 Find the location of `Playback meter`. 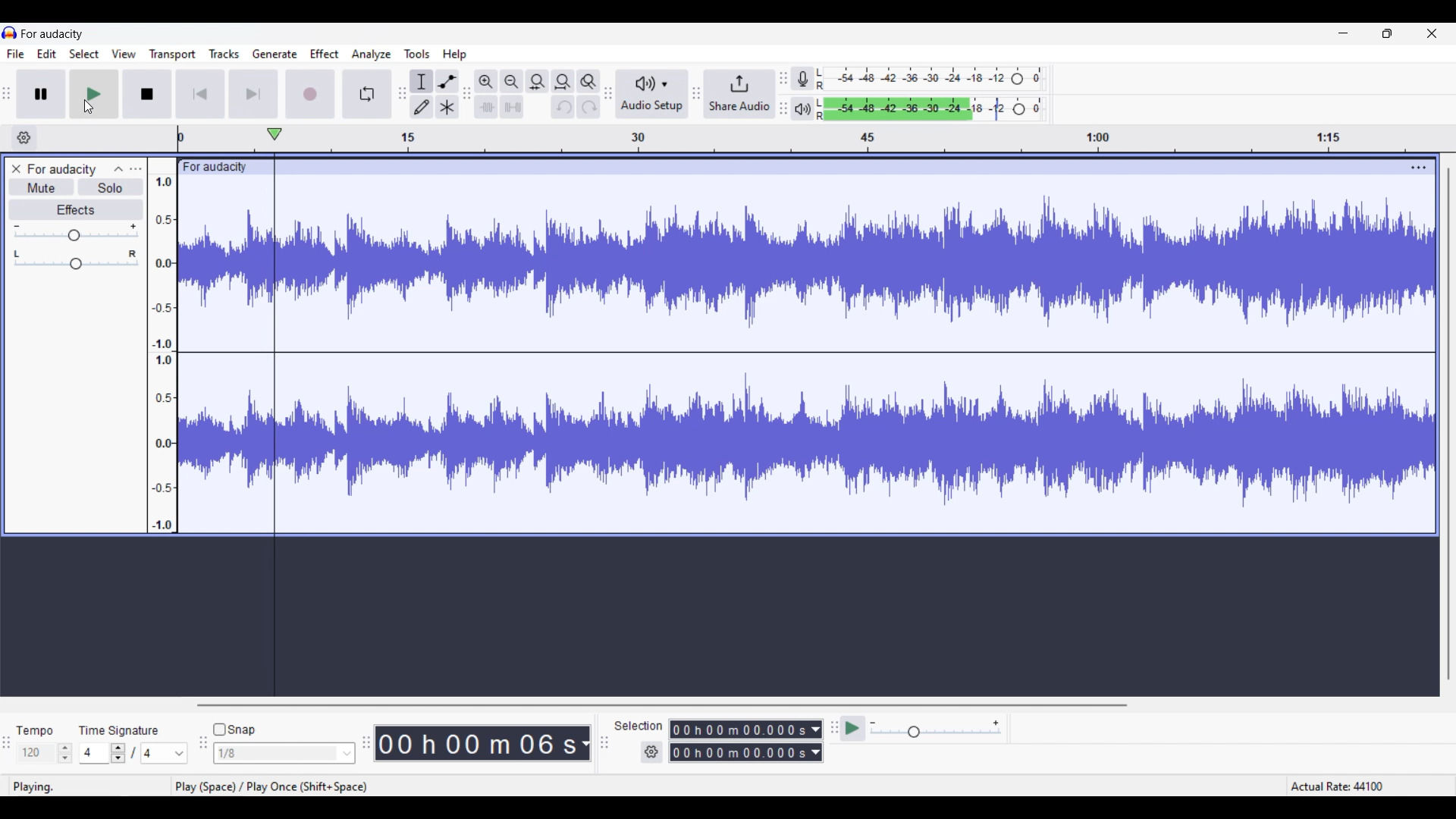

Playback meter is located at coordinates (803, 108).